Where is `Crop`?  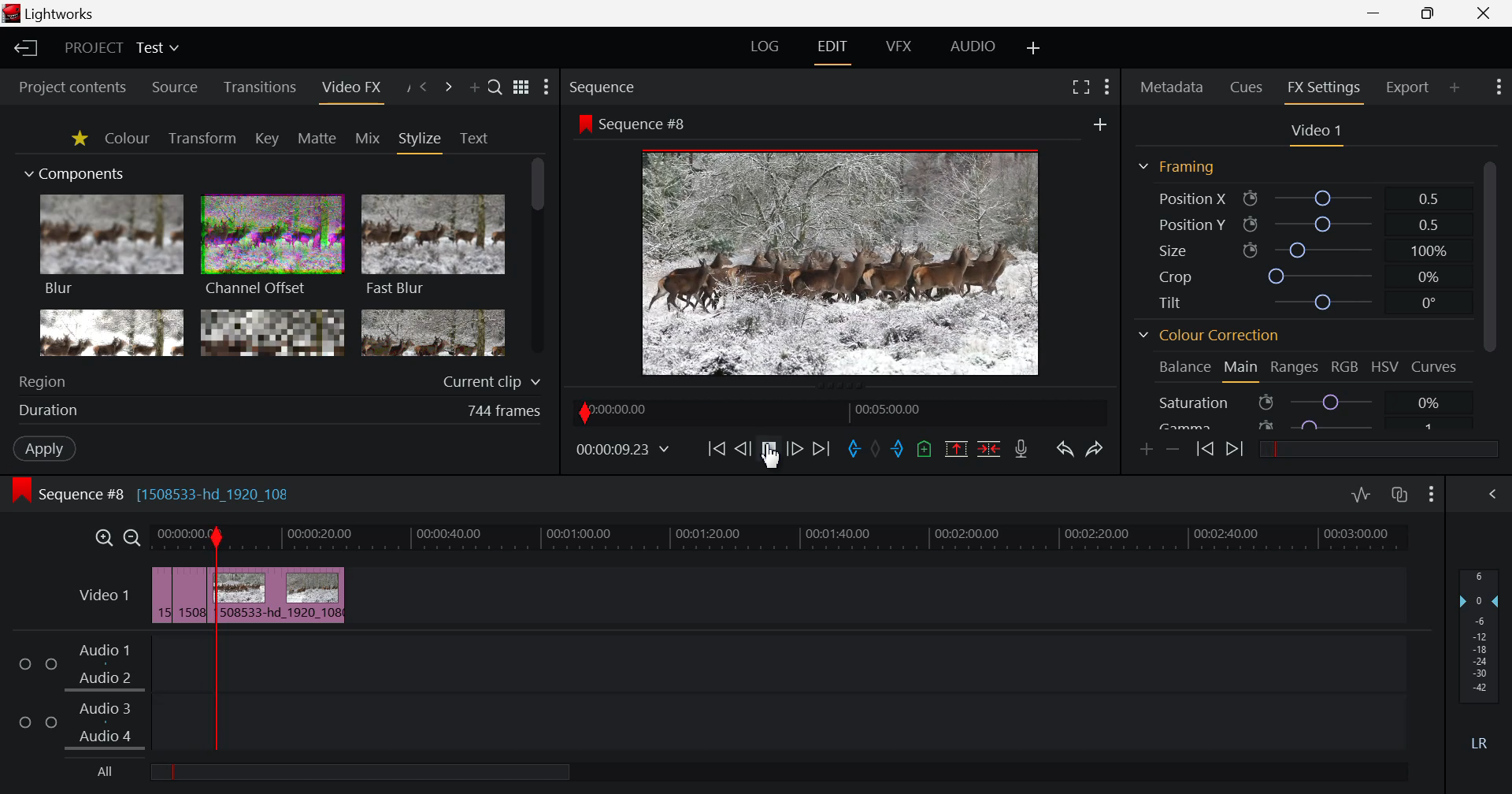 Crop is located at coordinates (1299, 275).